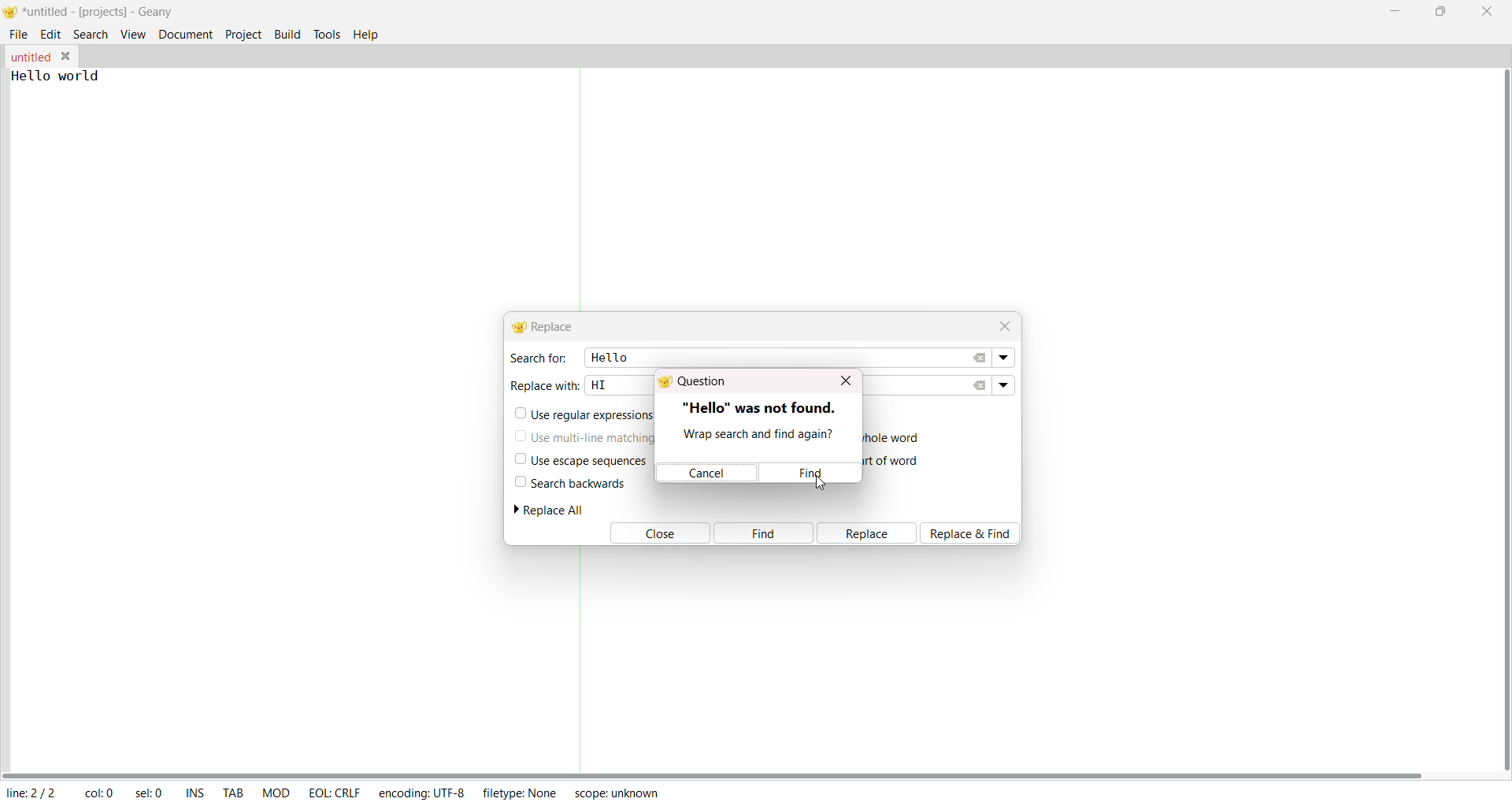  I want to click on use regular expressions, so click(586, 415).